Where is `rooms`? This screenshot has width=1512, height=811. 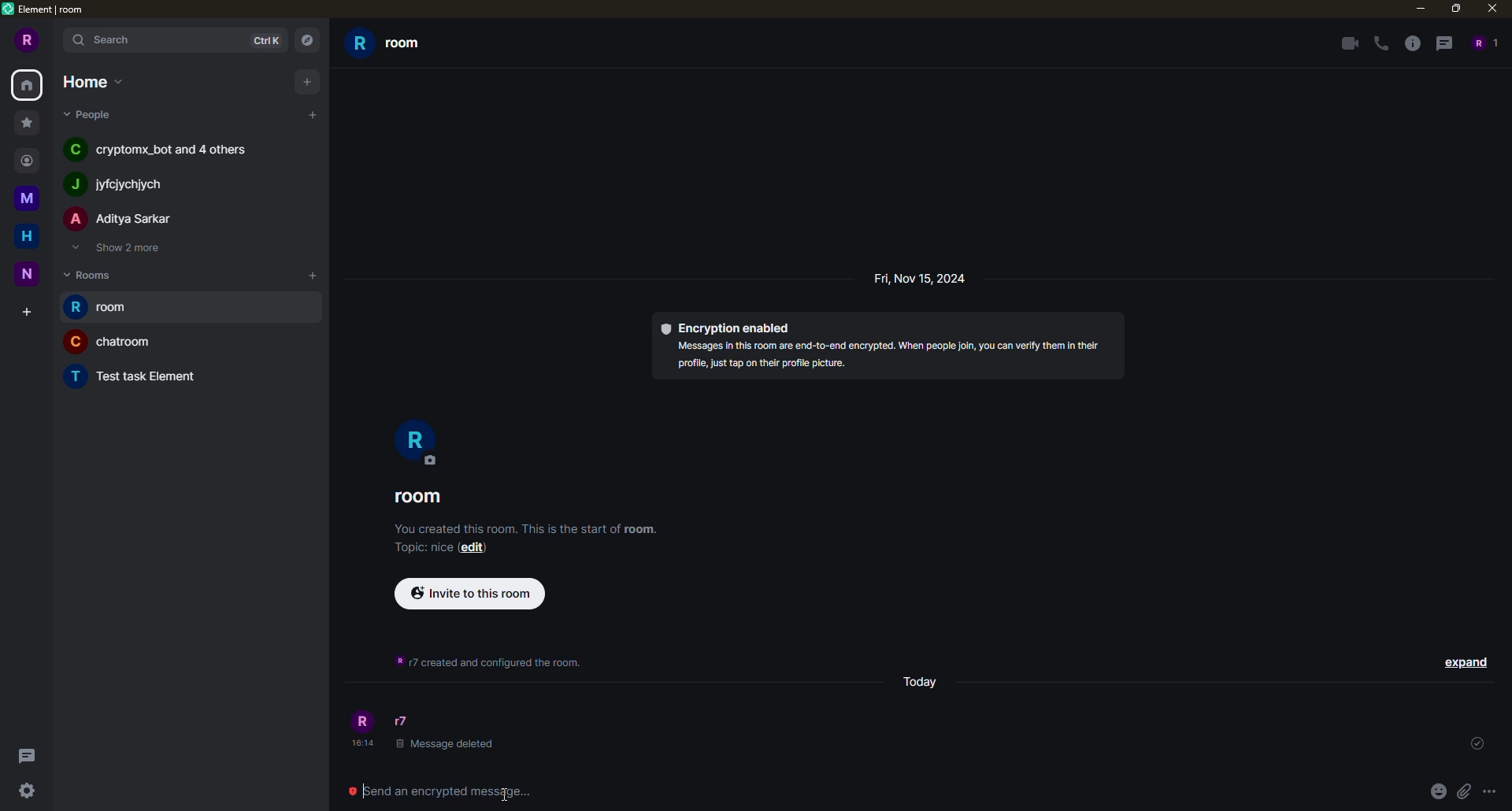
rooms is located at coordinates (91, 274).